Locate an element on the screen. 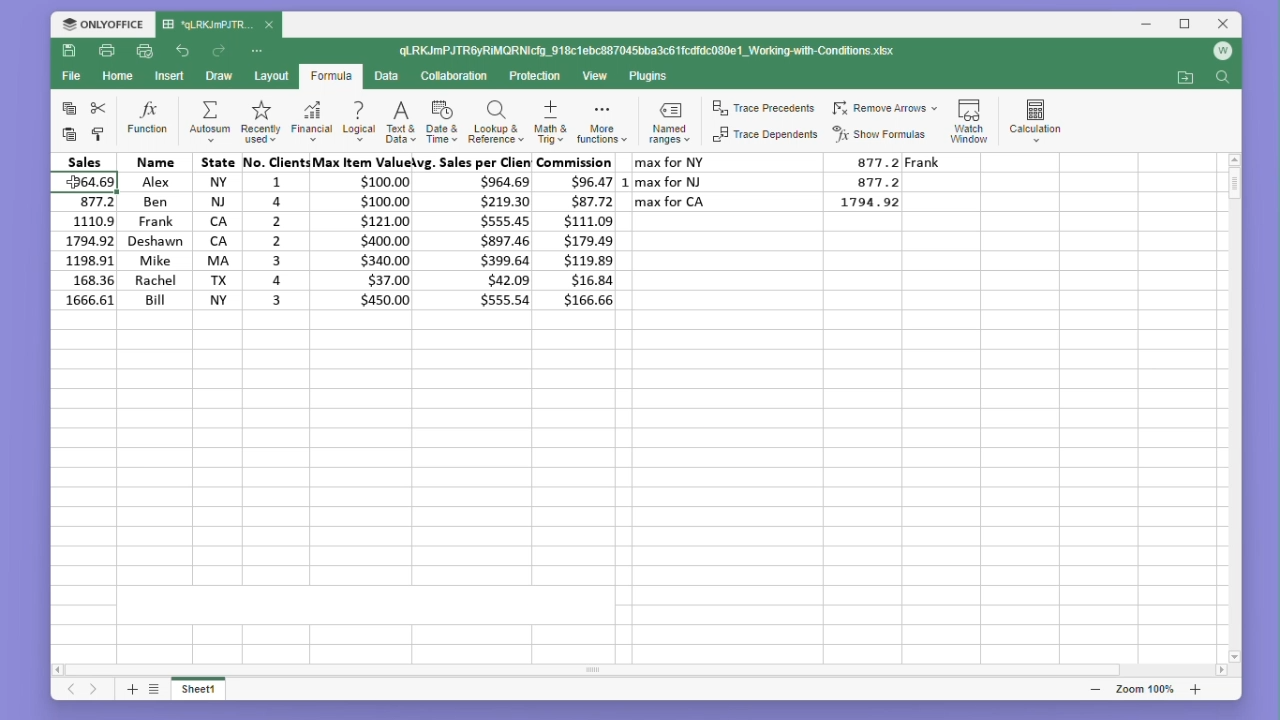 Image resolution: width=1280 pixels, height=720 pixels. Remove arrows is located at coordinates (884, 109).